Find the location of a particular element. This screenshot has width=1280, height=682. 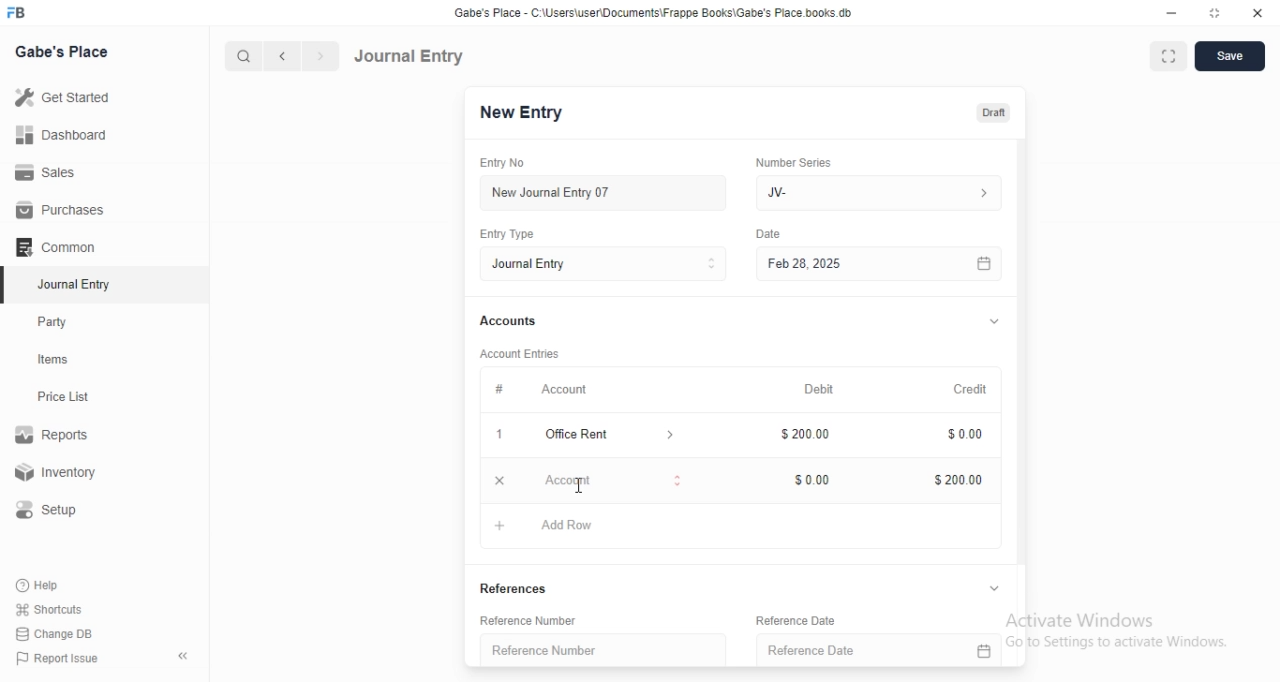

‘Gabe's Place - C\UsersiuserDocuments\Frappe Books\Gabe's Place books db is located at coordinates (653, 12).